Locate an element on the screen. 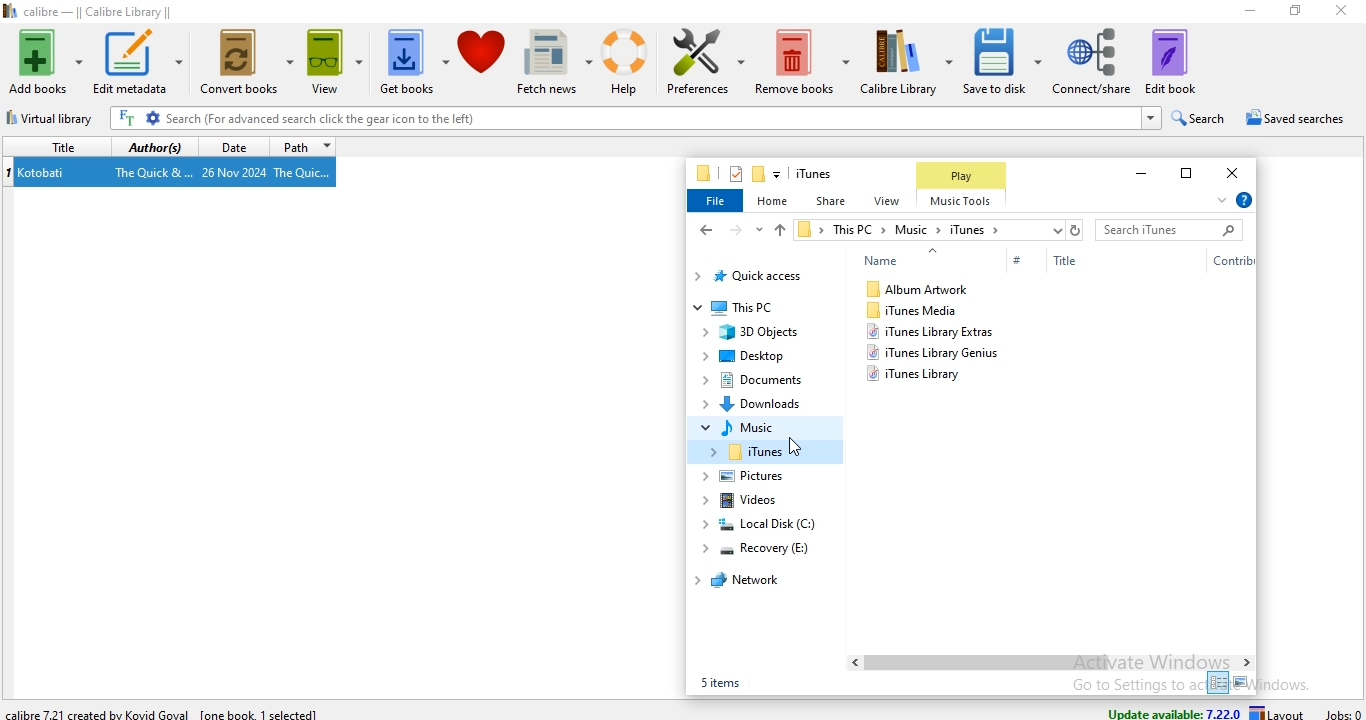 The image size is (1366, 720). Up arrow is located at coordinates (936, 251).